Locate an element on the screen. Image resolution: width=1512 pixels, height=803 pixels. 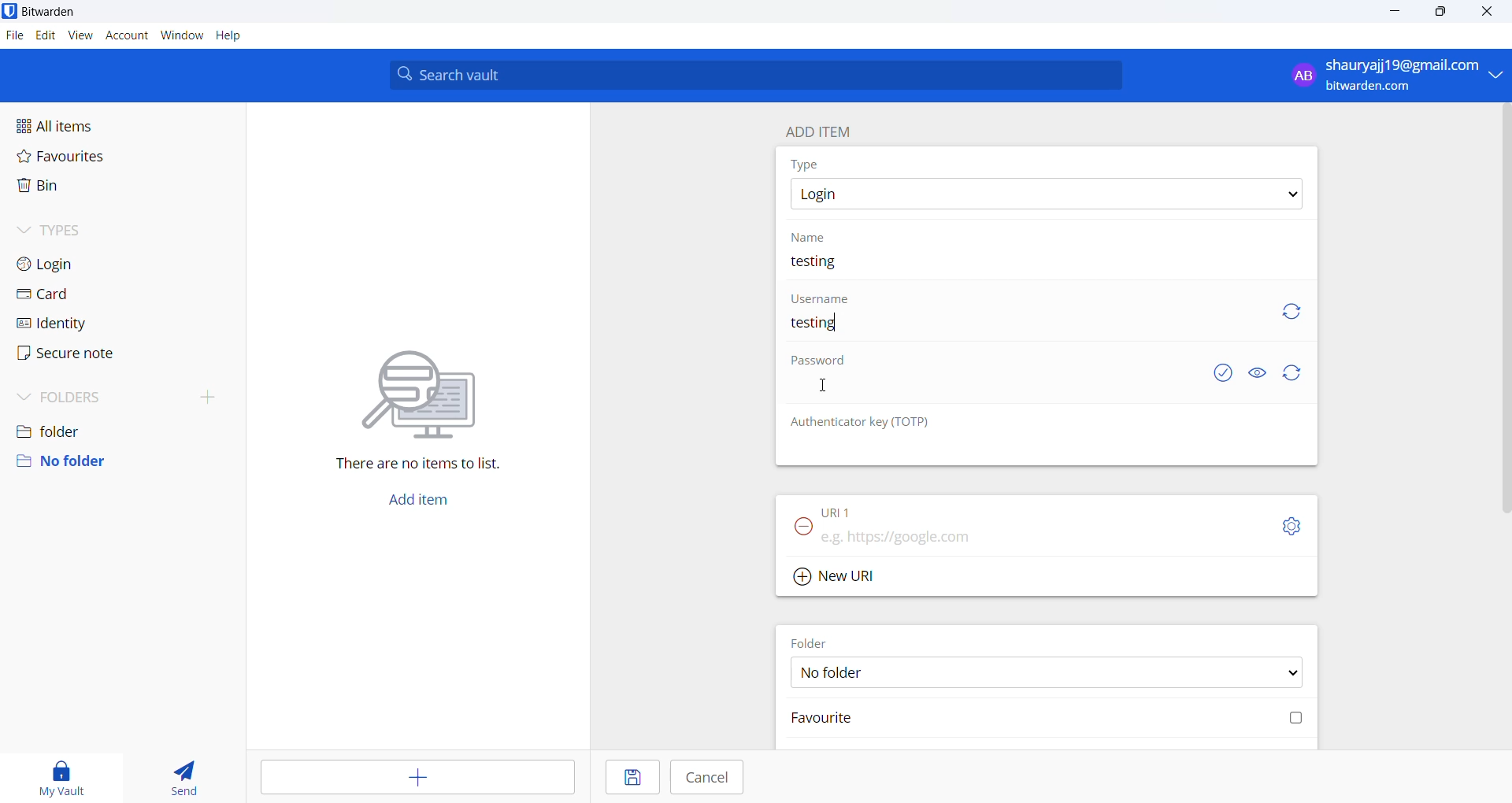
add button is located at coordinates (417, 502).